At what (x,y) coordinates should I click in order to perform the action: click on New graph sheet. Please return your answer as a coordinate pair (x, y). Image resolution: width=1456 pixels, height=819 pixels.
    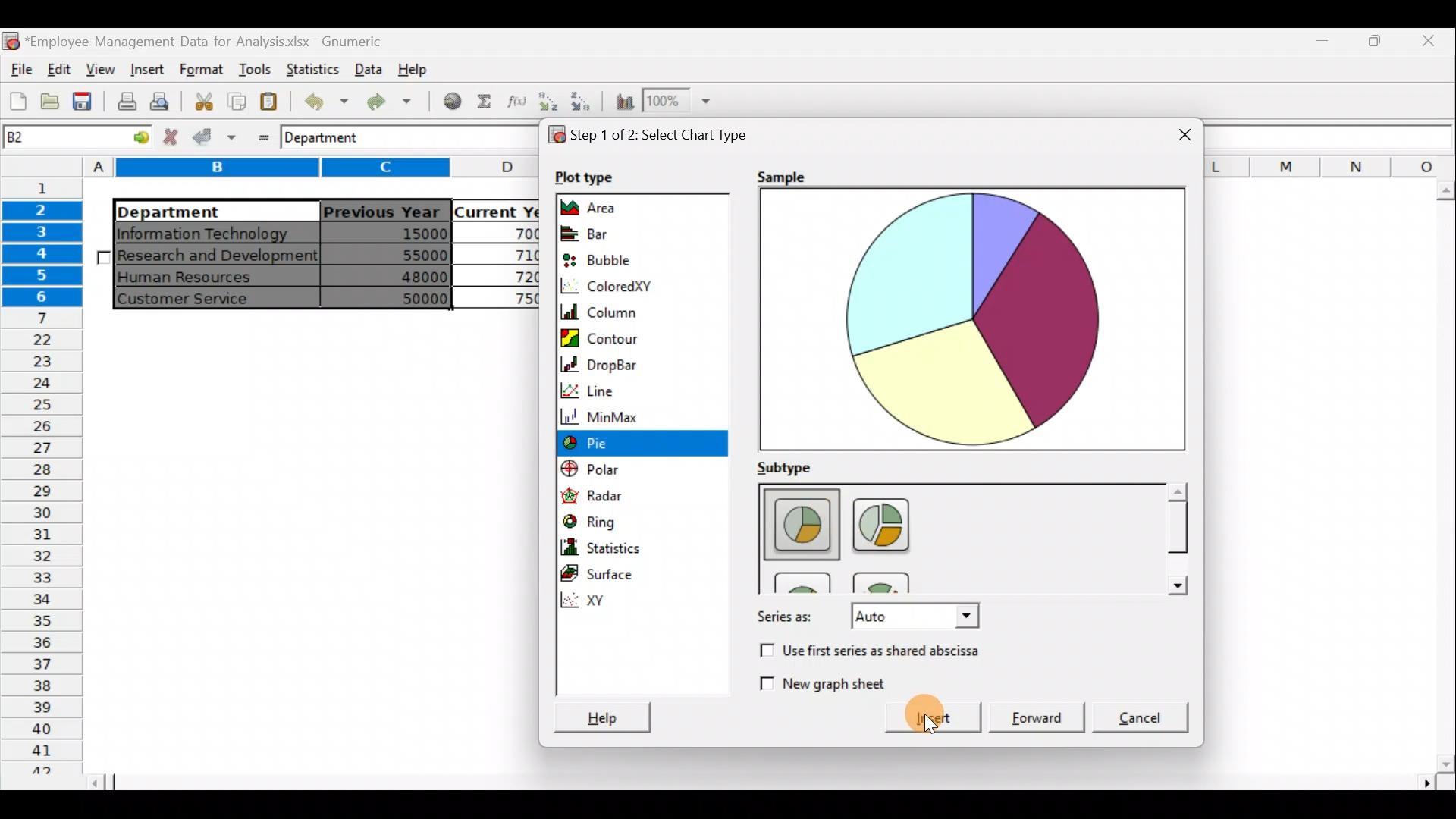
    Looking at the image, I should click on (821, 681).